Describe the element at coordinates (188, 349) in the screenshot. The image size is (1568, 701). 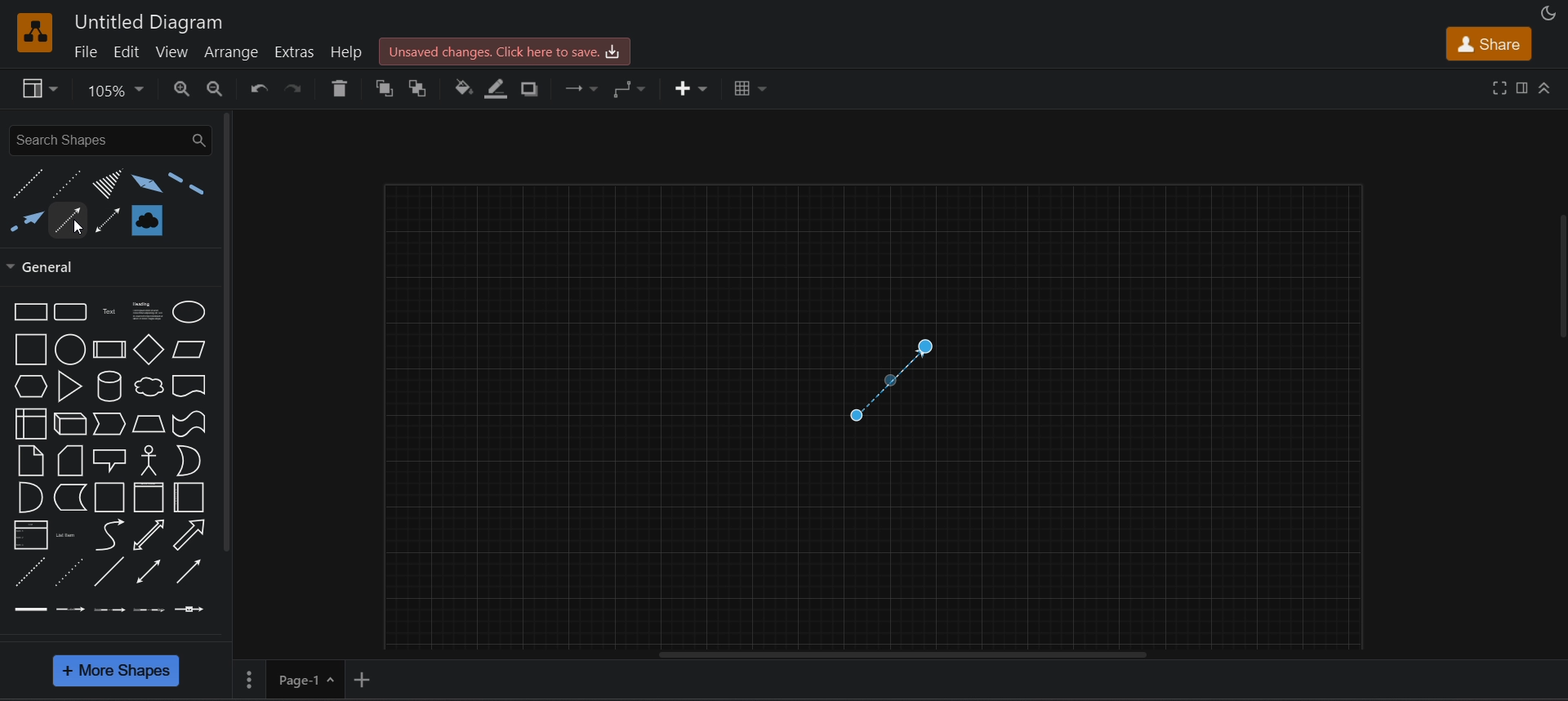
I see `parallelogram` at that location.